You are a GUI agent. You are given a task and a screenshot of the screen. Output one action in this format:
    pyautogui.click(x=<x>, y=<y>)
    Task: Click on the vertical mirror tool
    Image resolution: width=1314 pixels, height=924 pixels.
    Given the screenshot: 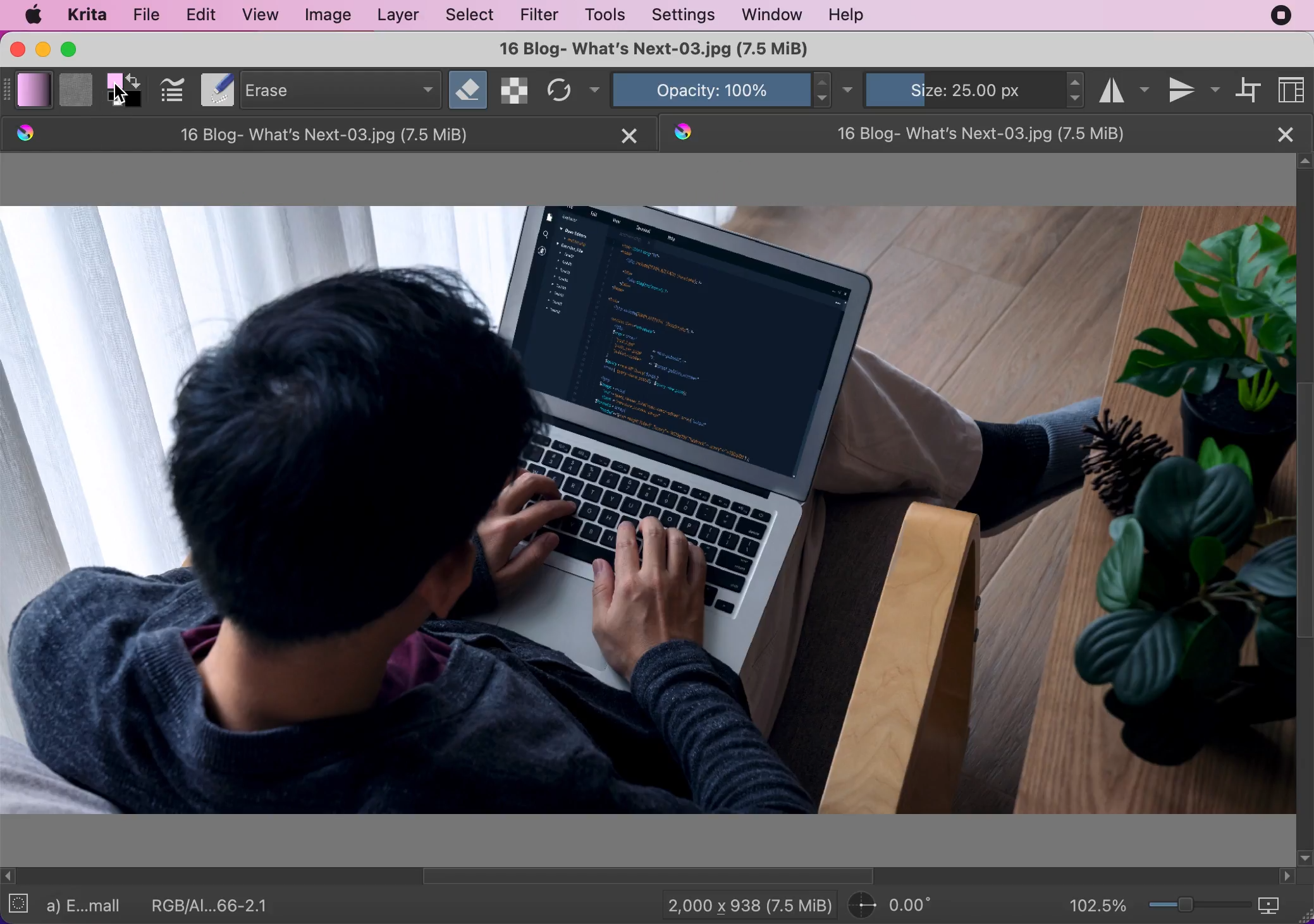 What is the action you would take?
    pyautogui.click(x=1195, y=88)
    